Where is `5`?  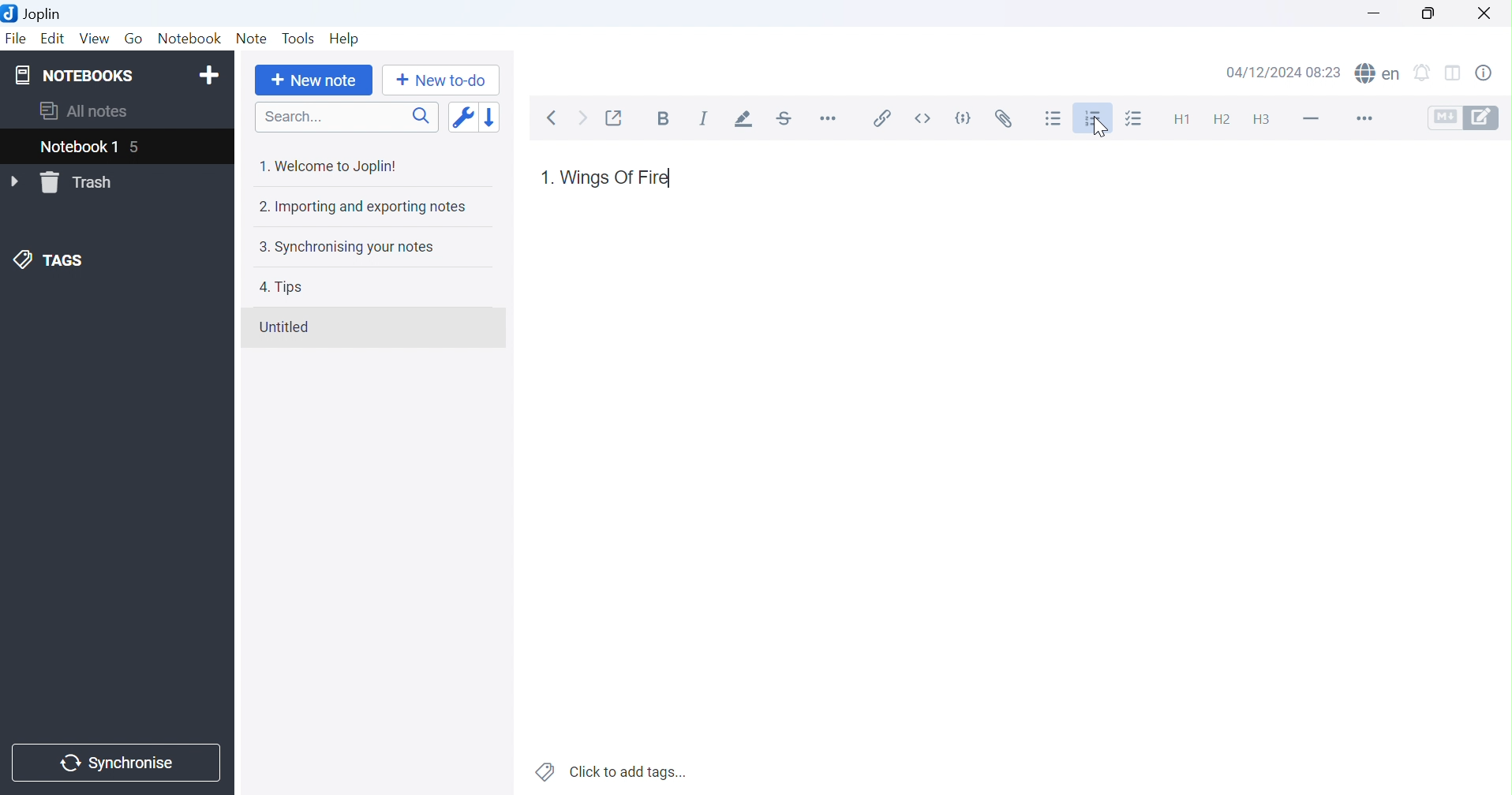
5 is located at coordinates (143, 148).